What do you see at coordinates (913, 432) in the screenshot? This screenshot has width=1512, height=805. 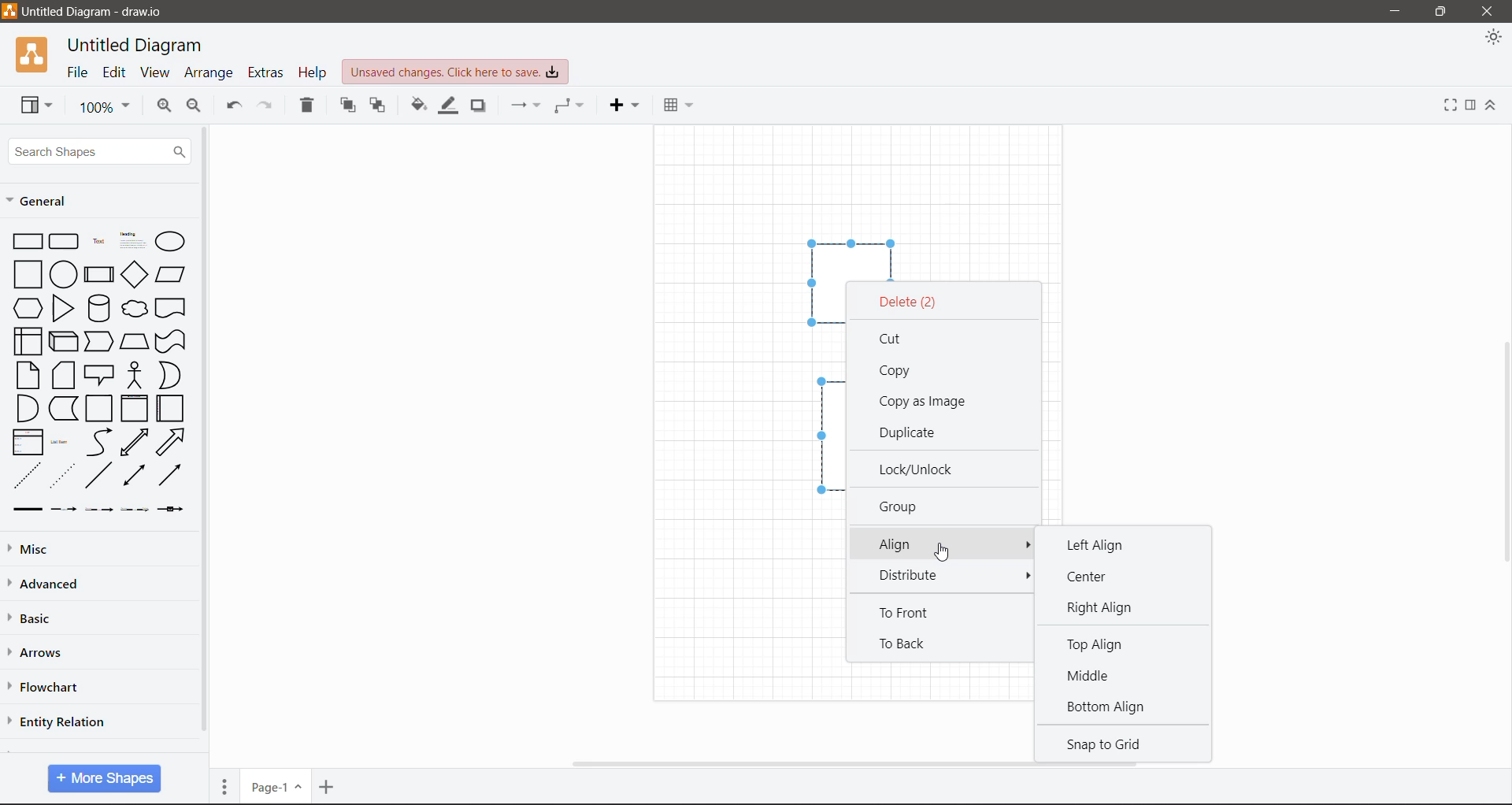 I see `Duplicate` at bounding box center [913, 432].